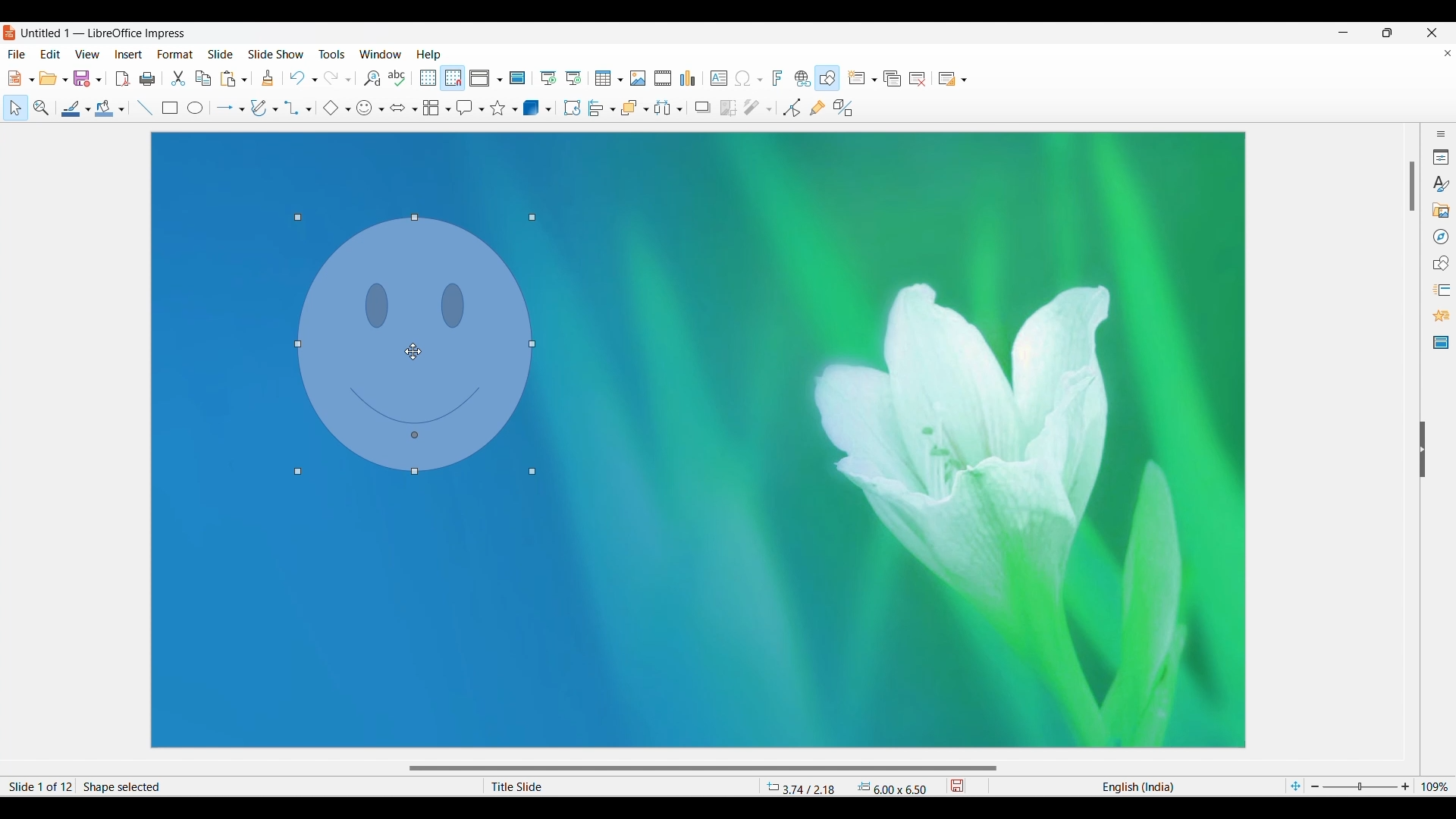 This screenshot has height=819, width=1456. What do you see at coordinates (331, 108) in the screenshot?
I see `Selected basic shape` at bounding box center [331, 108].